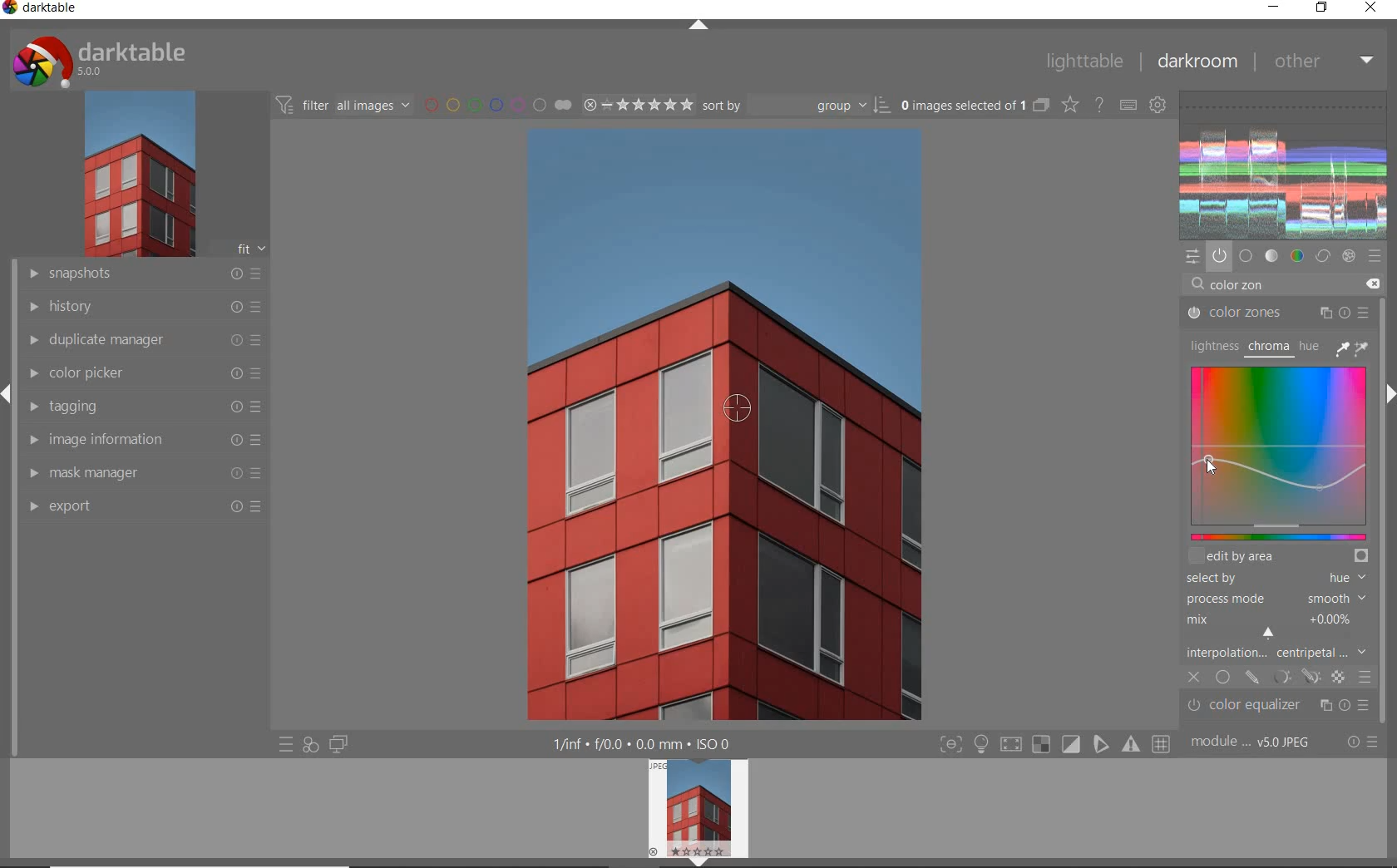 This screenshot has width=1397, height=868. Describe the element at coordinates (1219, 255) in the screenshot. I see `show only active modules` at that location.